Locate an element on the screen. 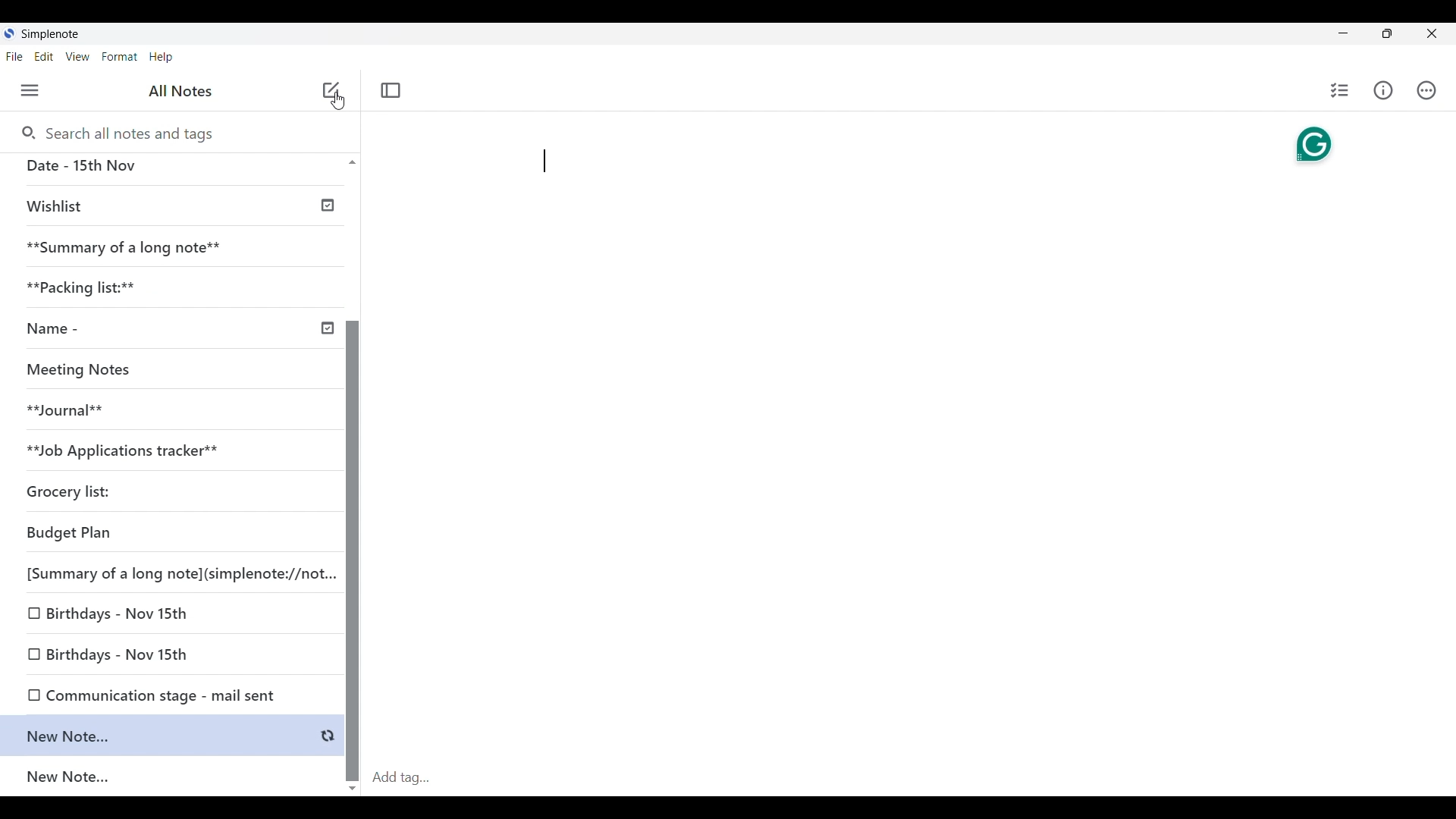 The image size is (1456, 819). Format is located at coordinates (120, 57).